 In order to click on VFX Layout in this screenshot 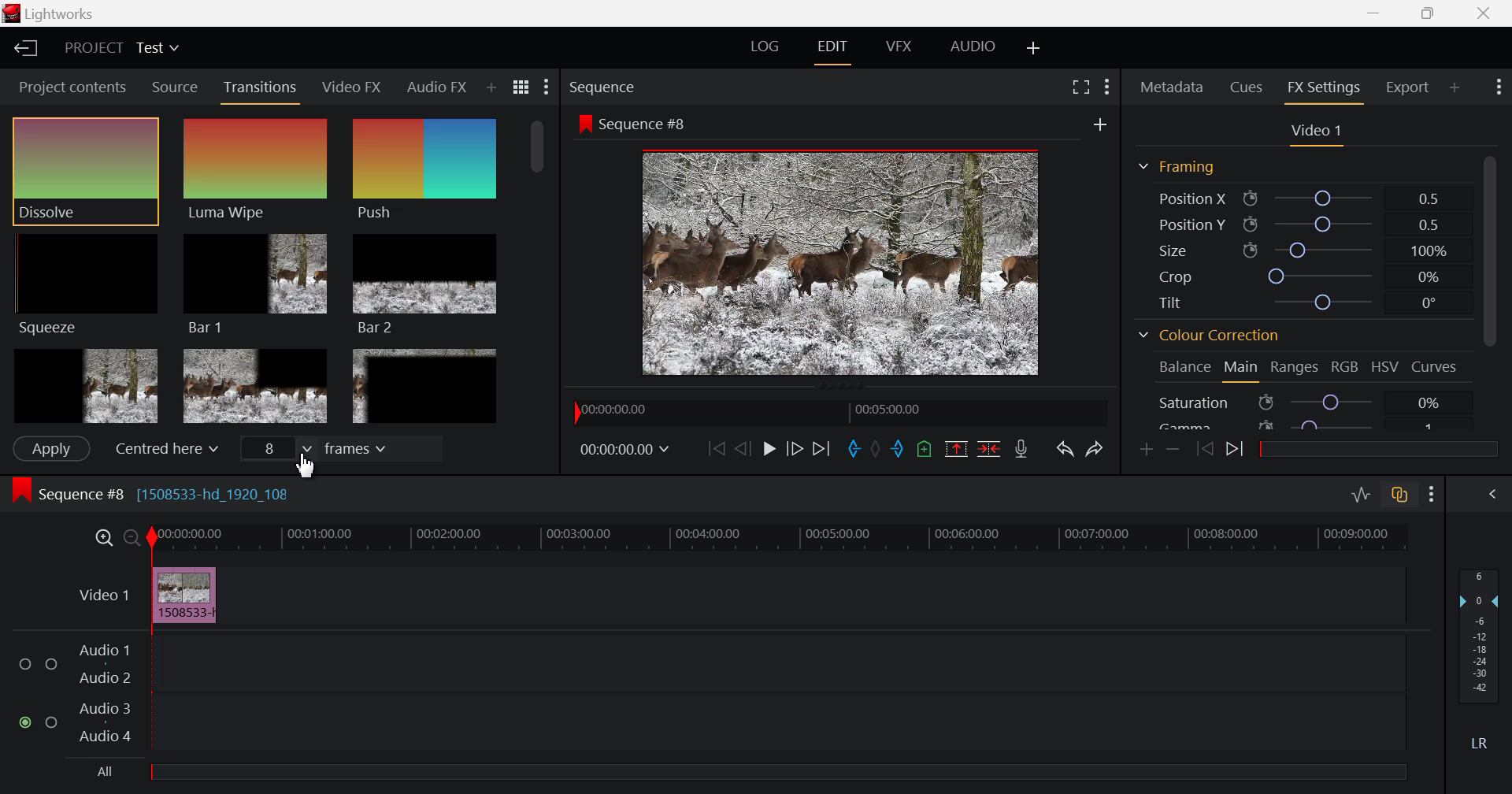, I will do `click(899, 49)`.